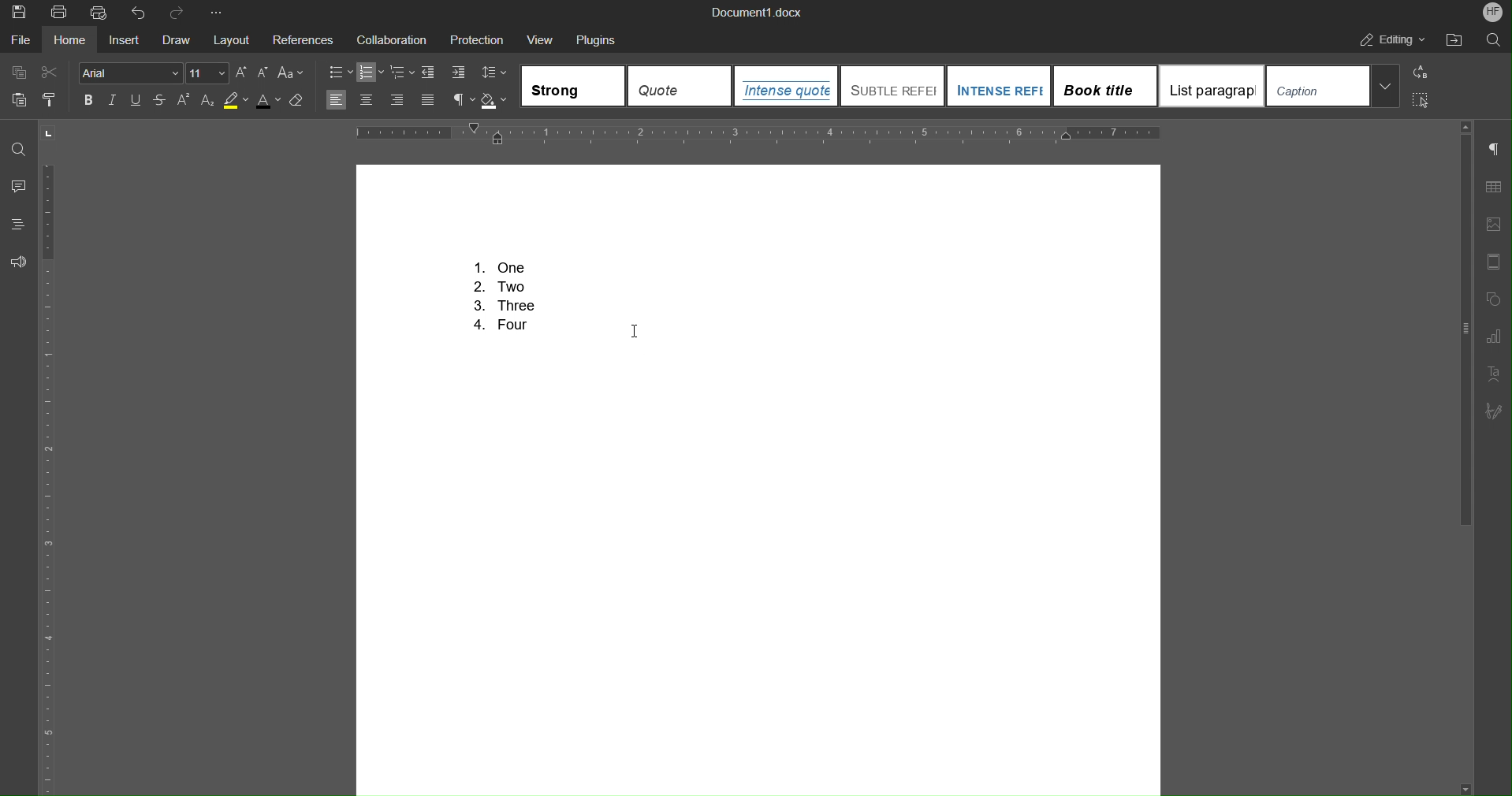 The height and width of the screenshot is (796, 1512). I want to click on Subscript, so click(208, 102).